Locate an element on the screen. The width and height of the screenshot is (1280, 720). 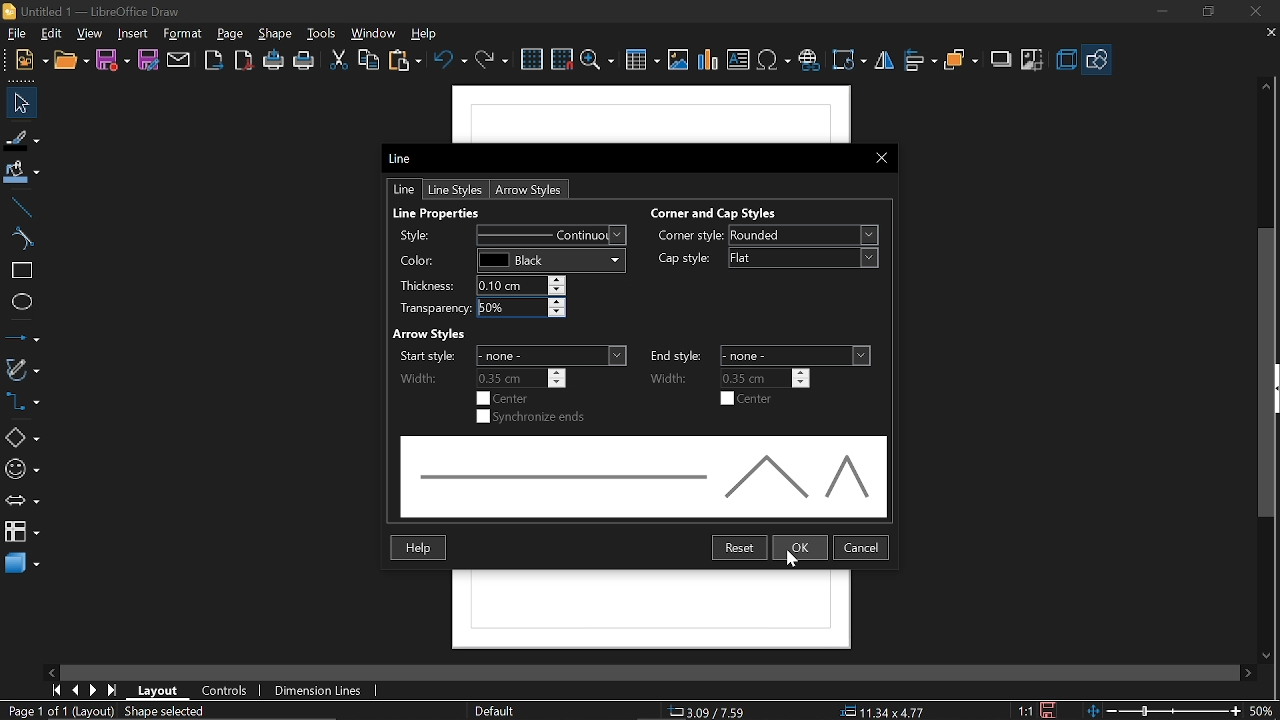
(Layout) Shape selected is located at coordinates (142, 711).